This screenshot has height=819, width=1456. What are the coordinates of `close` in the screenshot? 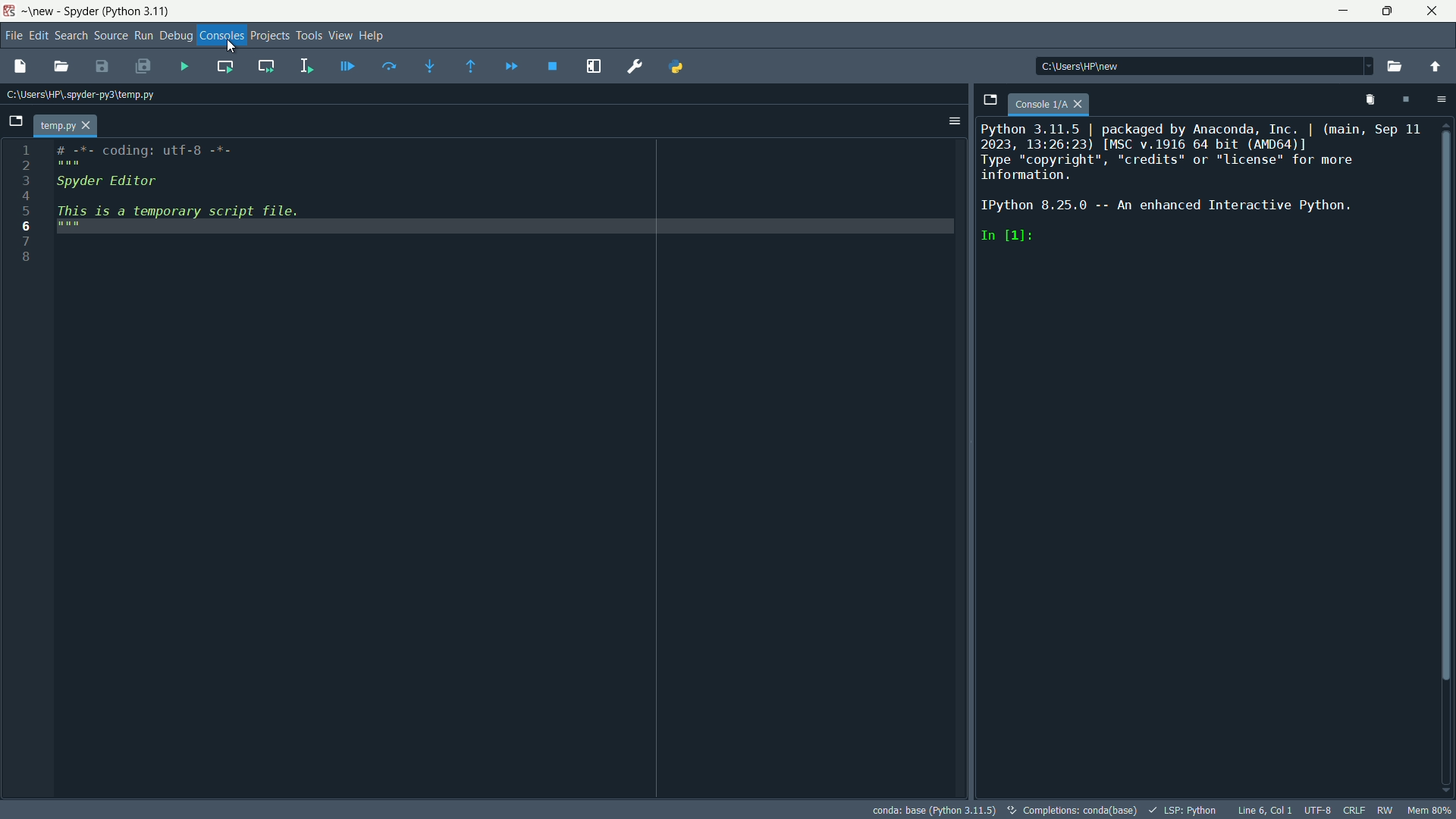 It's located at (1432, 11).